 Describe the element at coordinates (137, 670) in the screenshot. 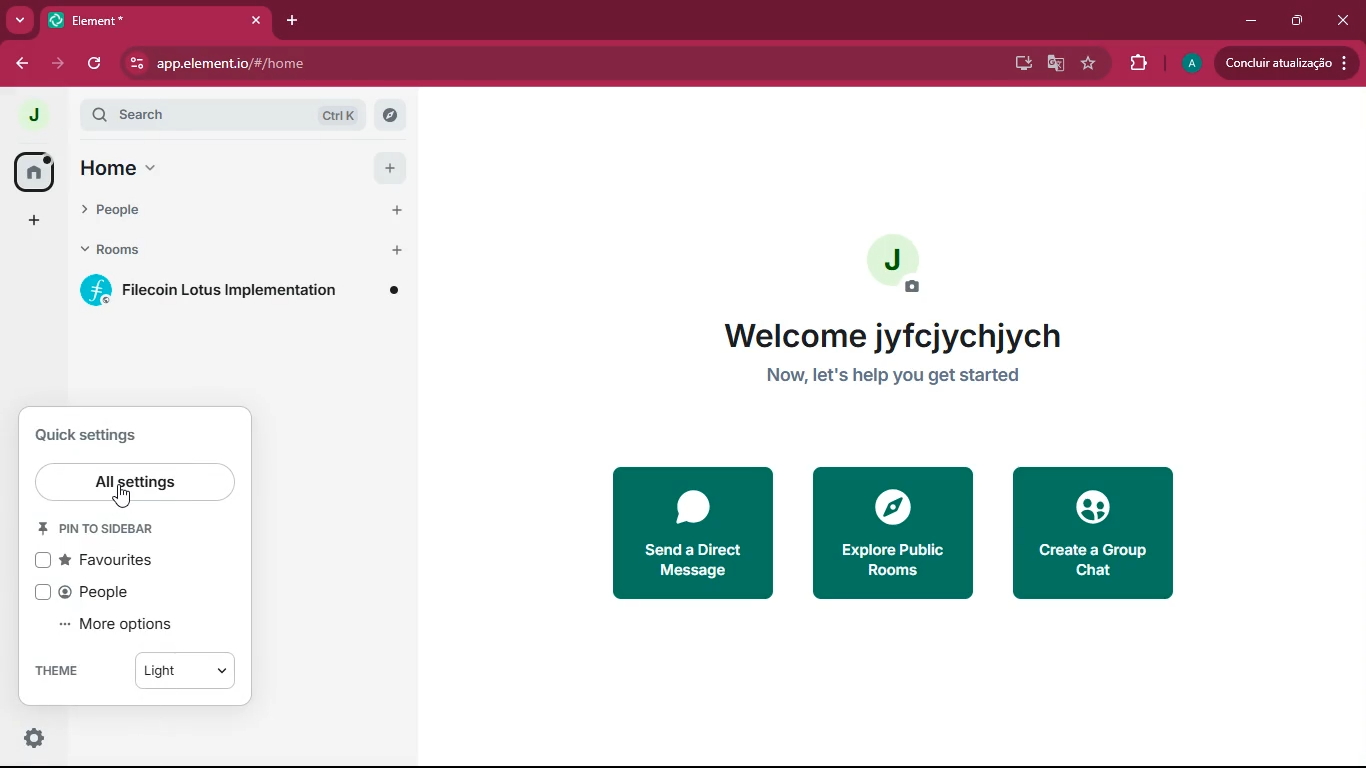

I see `theme` at that location.